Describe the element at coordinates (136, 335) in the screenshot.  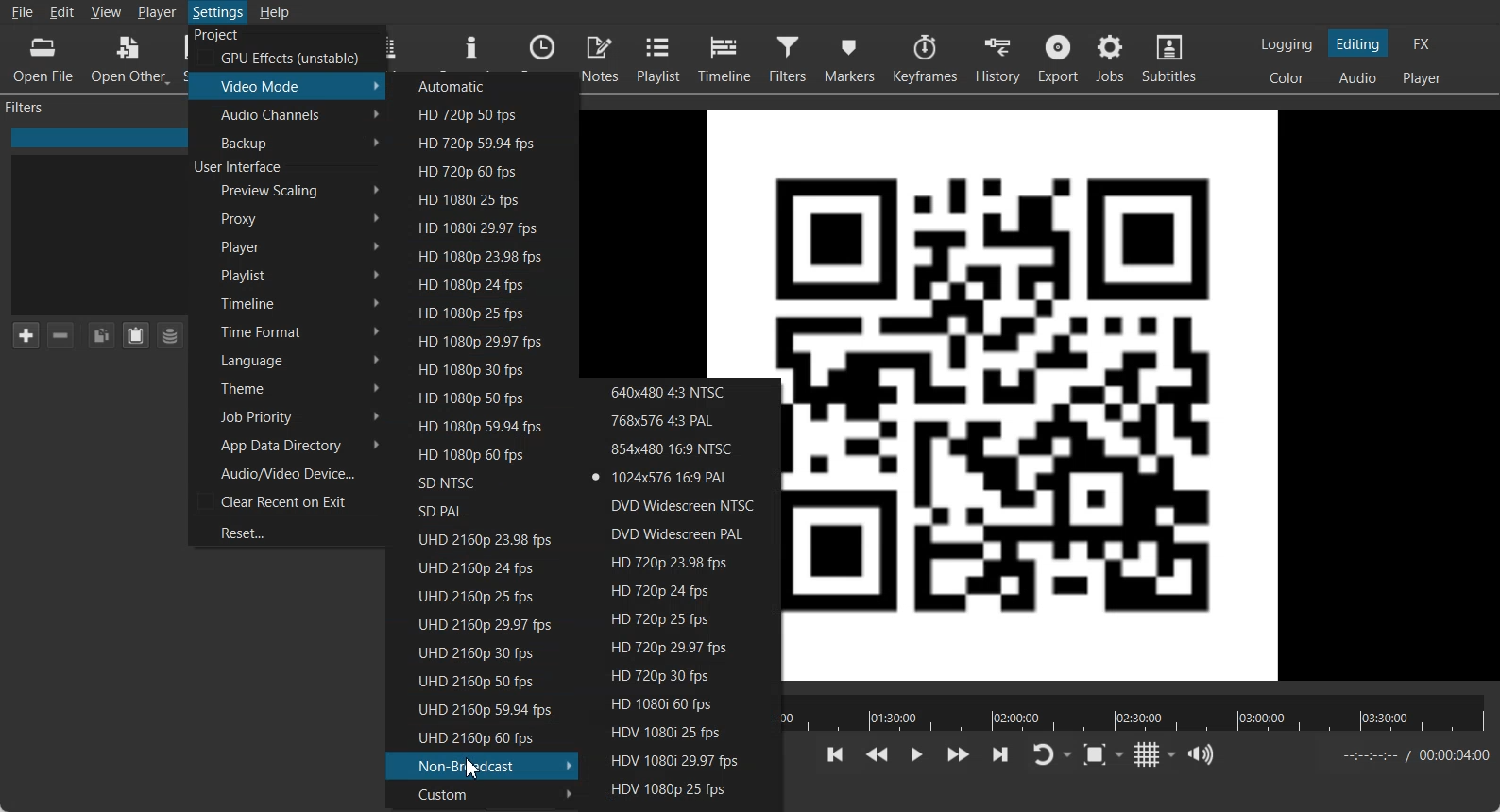
I see `Paste Filter` at that location.